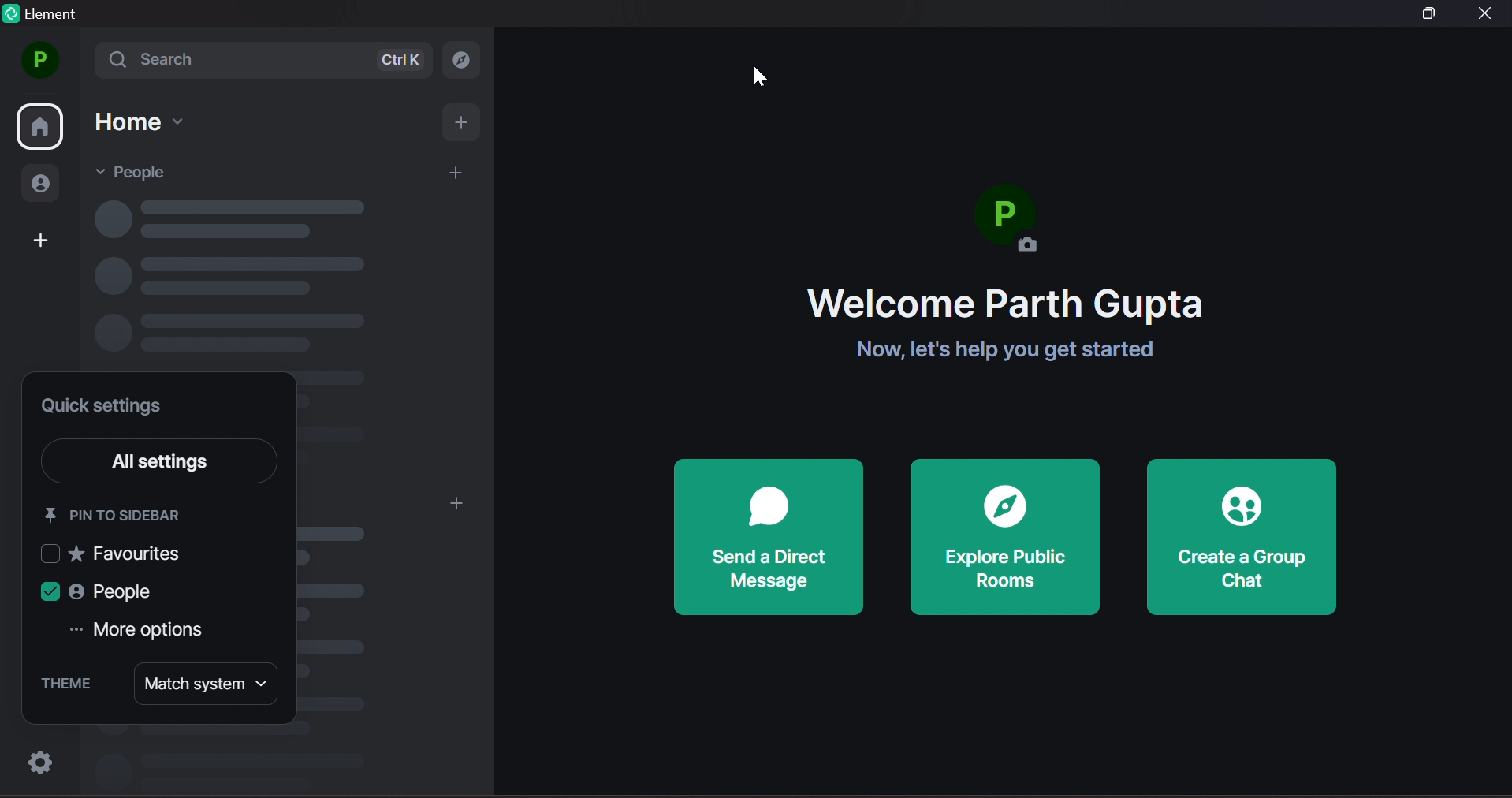 The image size is (1512, 798). I want to click on add, so click(455, 505).